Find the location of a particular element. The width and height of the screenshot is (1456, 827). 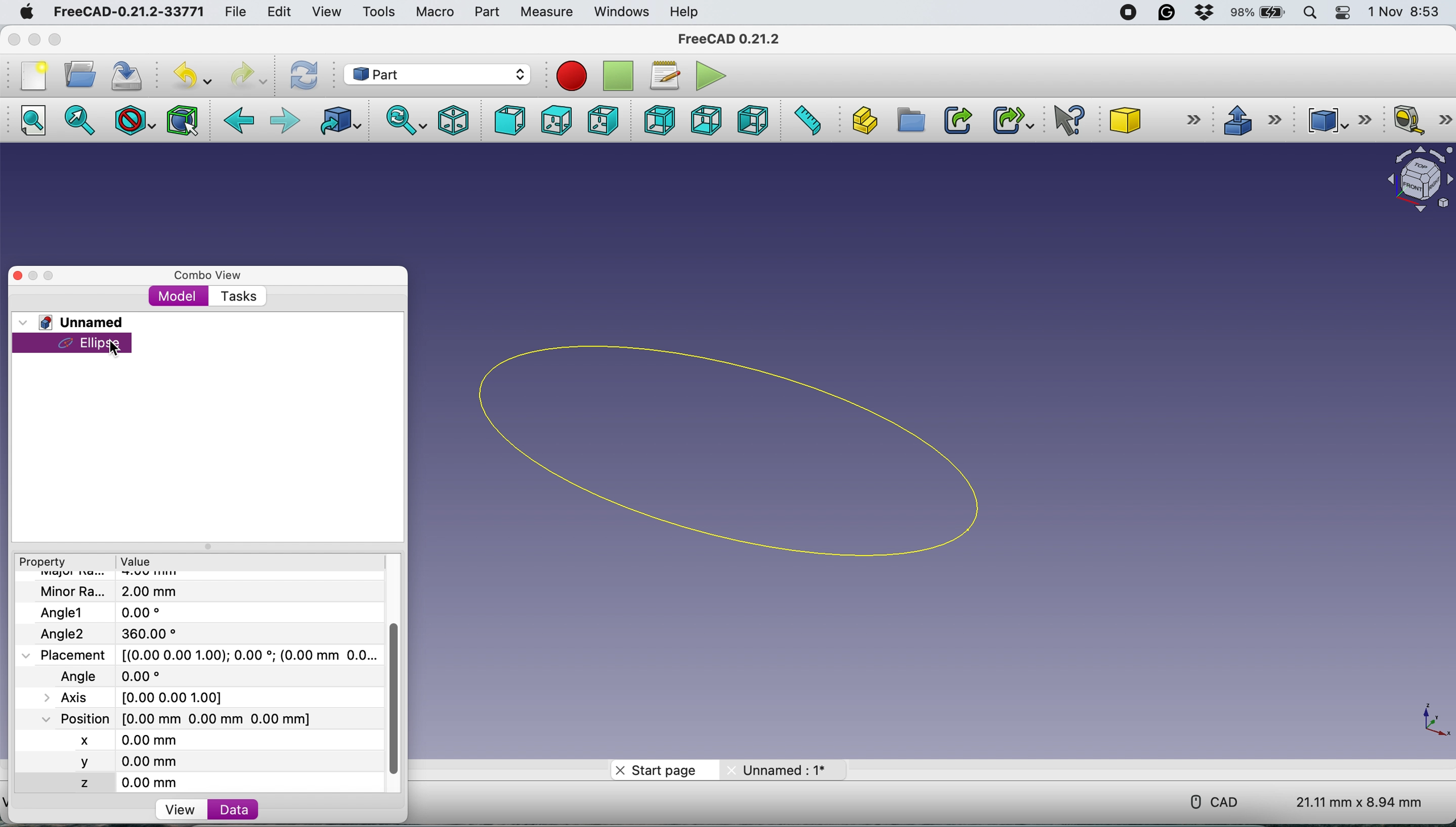

execute macros is located at coordinates (708, 76).